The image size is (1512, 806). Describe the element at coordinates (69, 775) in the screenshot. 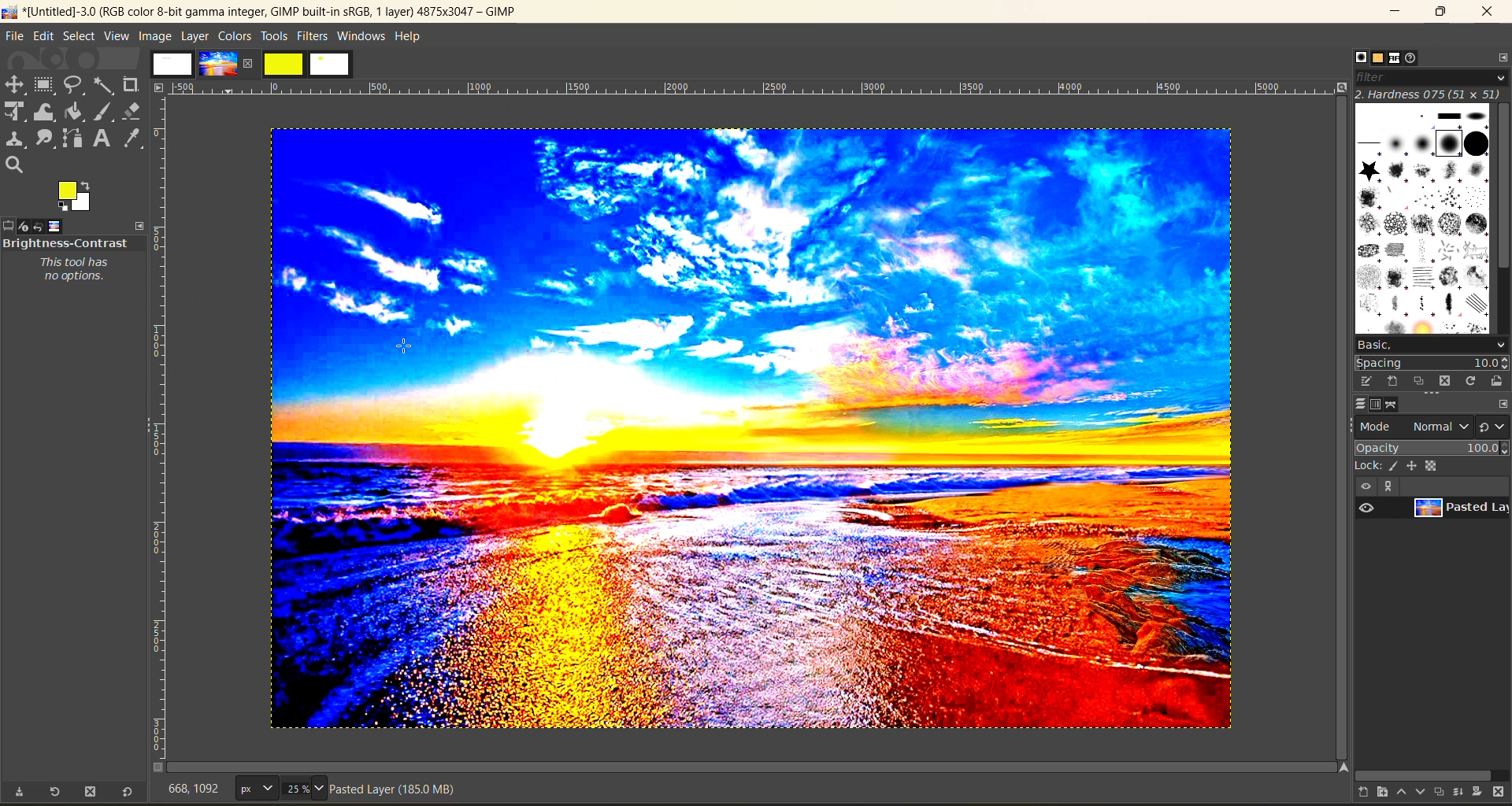

I see `horizontal scroll bar` at that location.